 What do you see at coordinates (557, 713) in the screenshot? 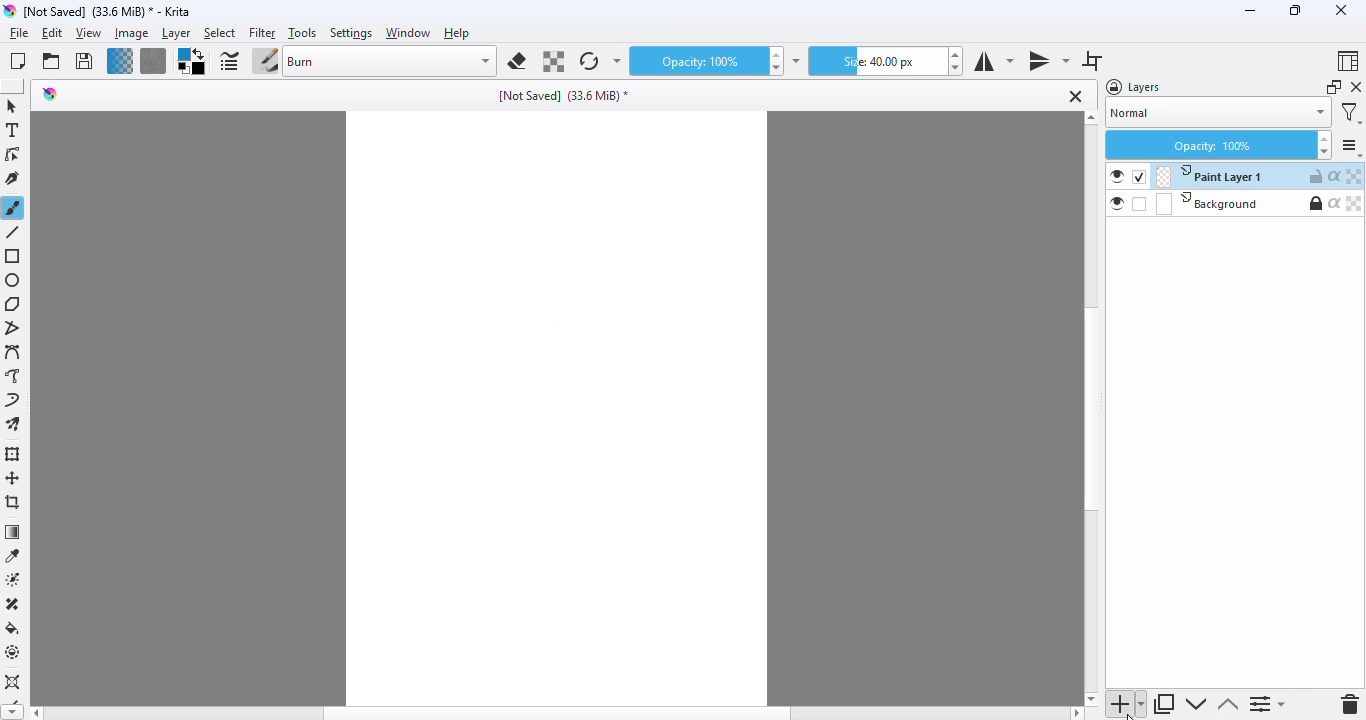
I see `horizontal scroll bar` at bounding box center [557, 713].